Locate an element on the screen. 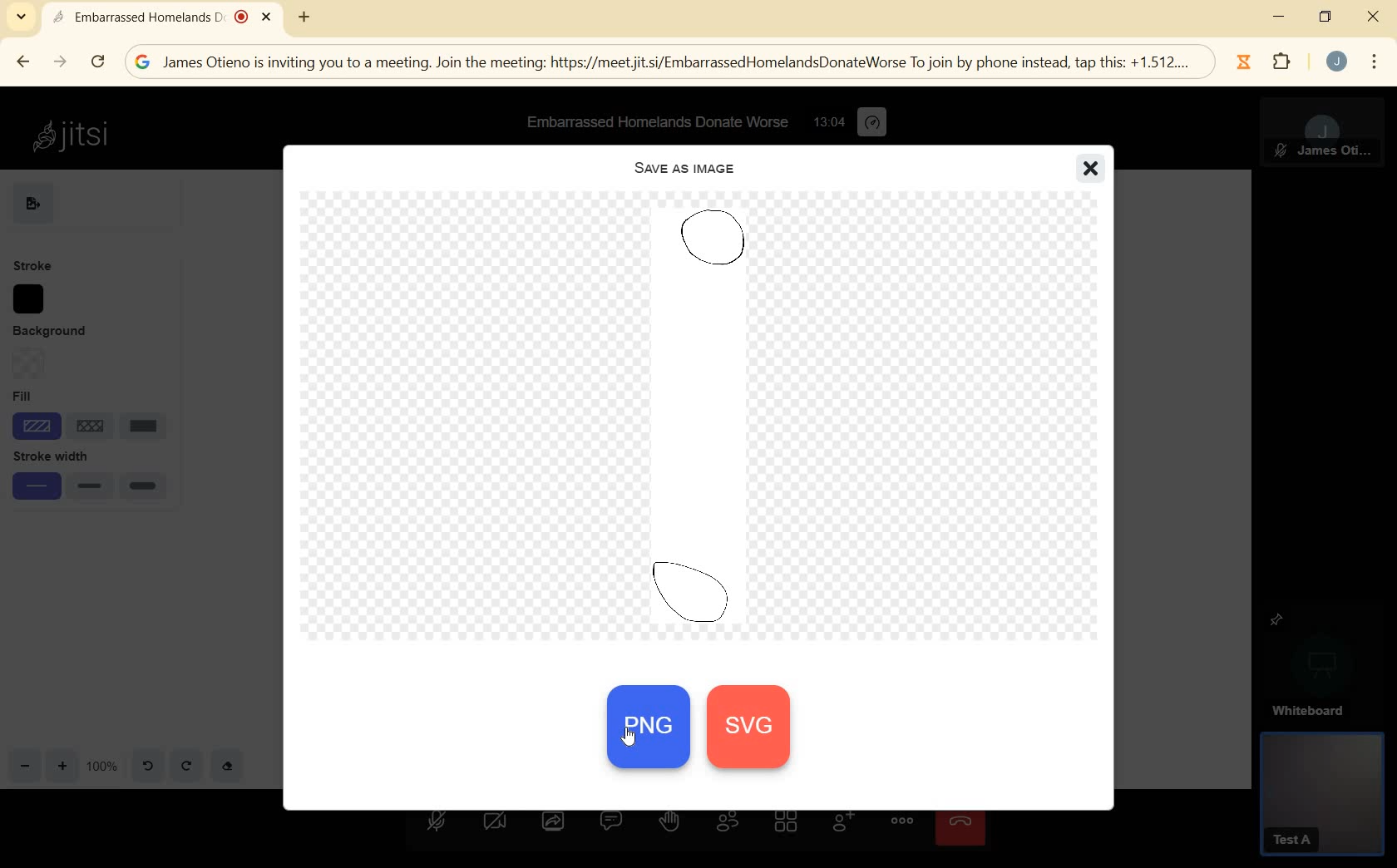 This screenshot has height=868, width=1397. extensions is located at coordinates (1283, 65).